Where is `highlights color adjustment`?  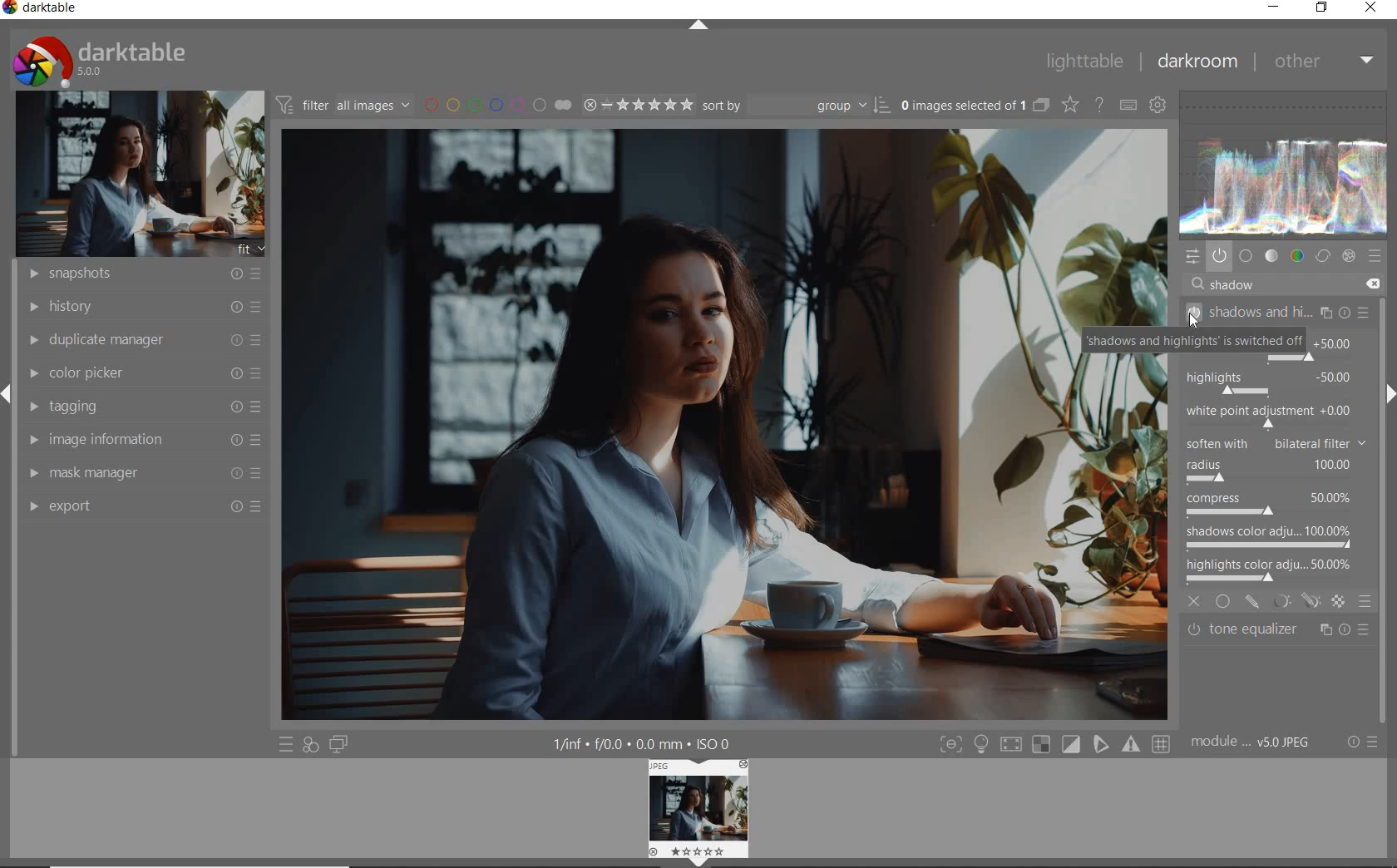 highlights color adjustment is located at coordinates (1272, 568).